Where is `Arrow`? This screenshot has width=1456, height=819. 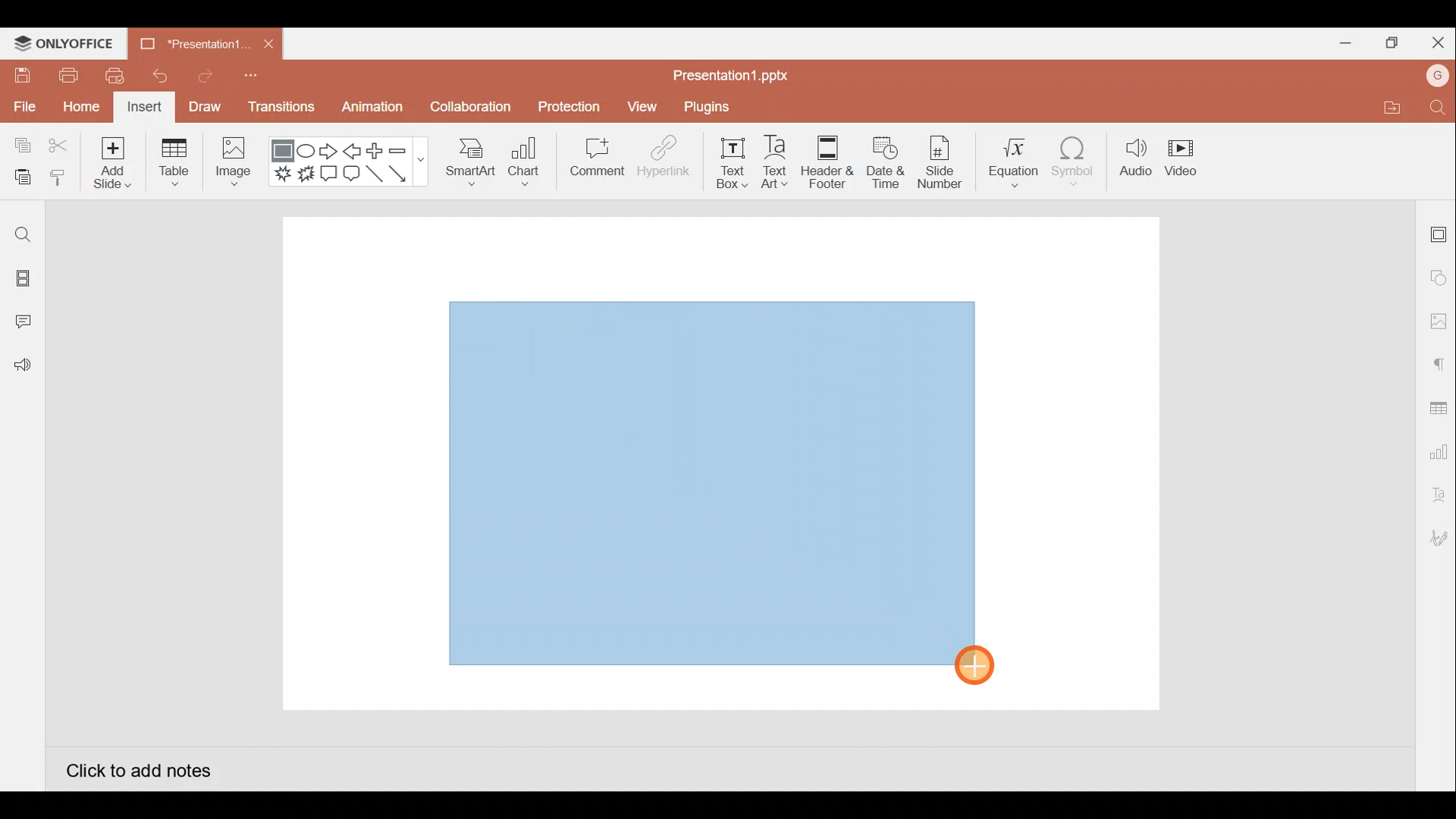 Arrow is located at coordinates (406, 174).